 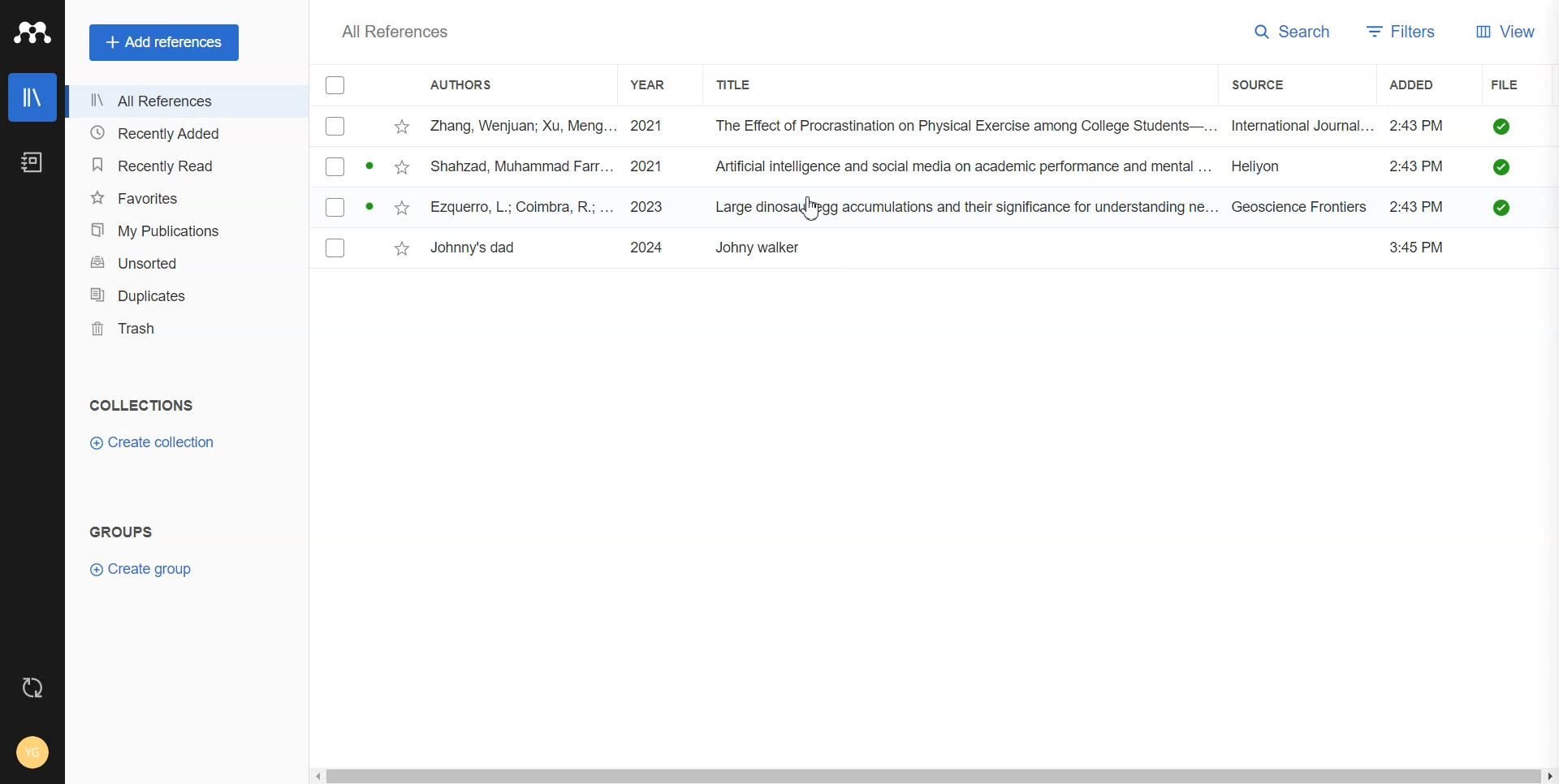 What do you see at coordinates (1421, 166) in the screenshot?
I see `2:43 PM` at bounding box center [1421, 166].